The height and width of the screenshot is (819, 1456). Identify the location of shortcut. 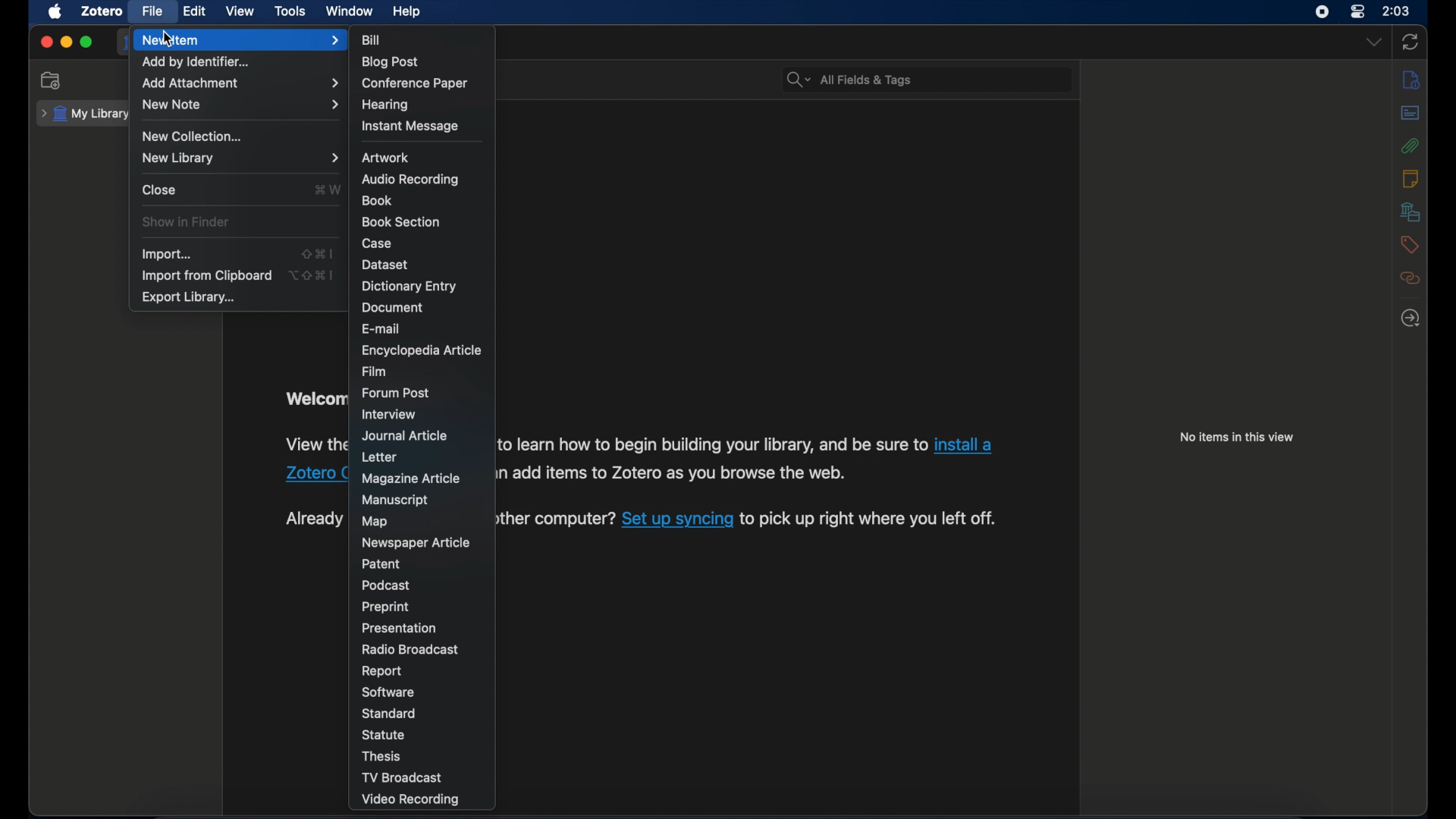
(312, 275).